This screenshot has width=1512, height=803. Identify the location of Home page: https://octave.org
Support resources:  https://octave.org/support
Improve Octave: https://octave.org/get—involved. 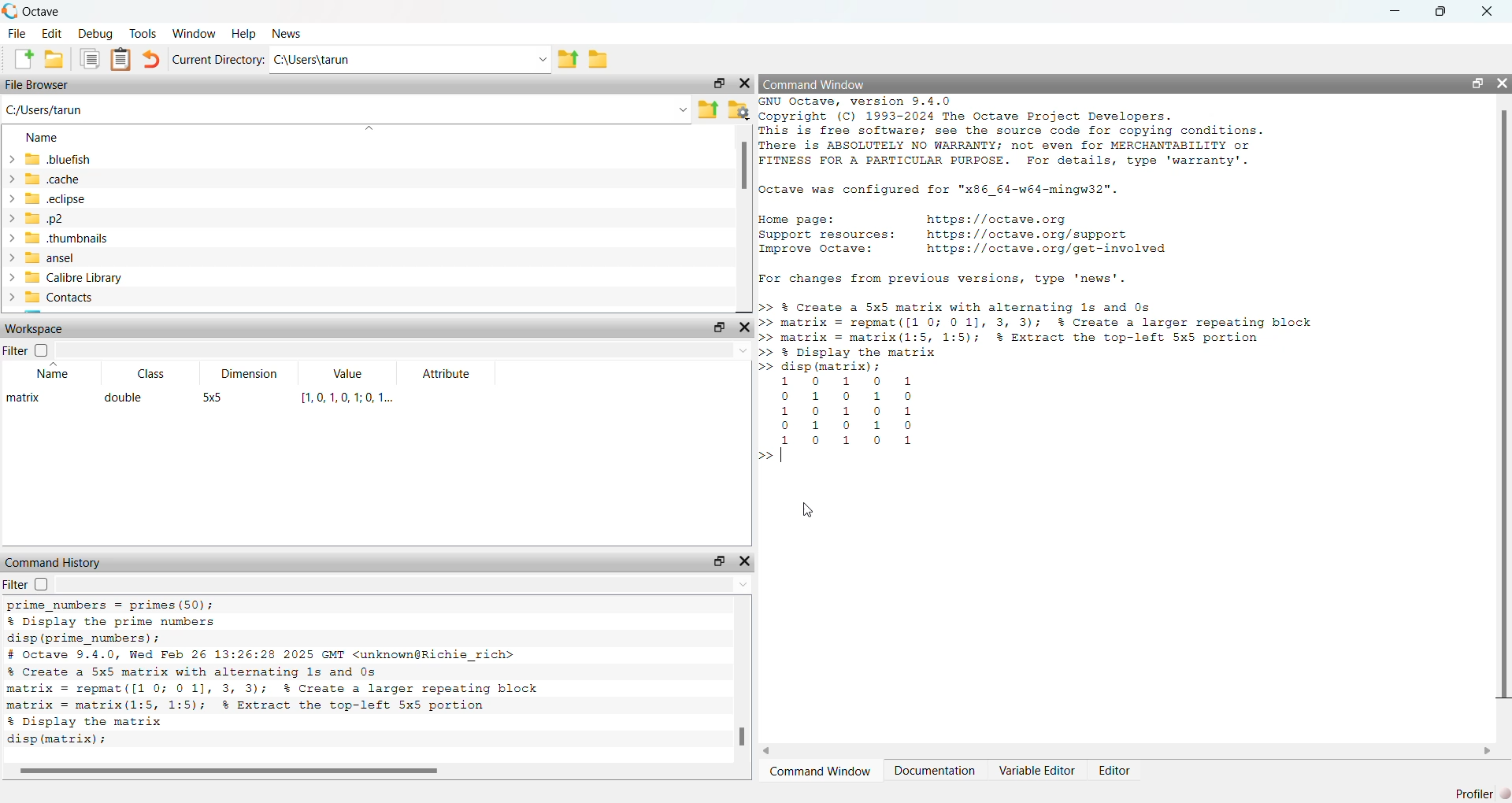
(966, 238).